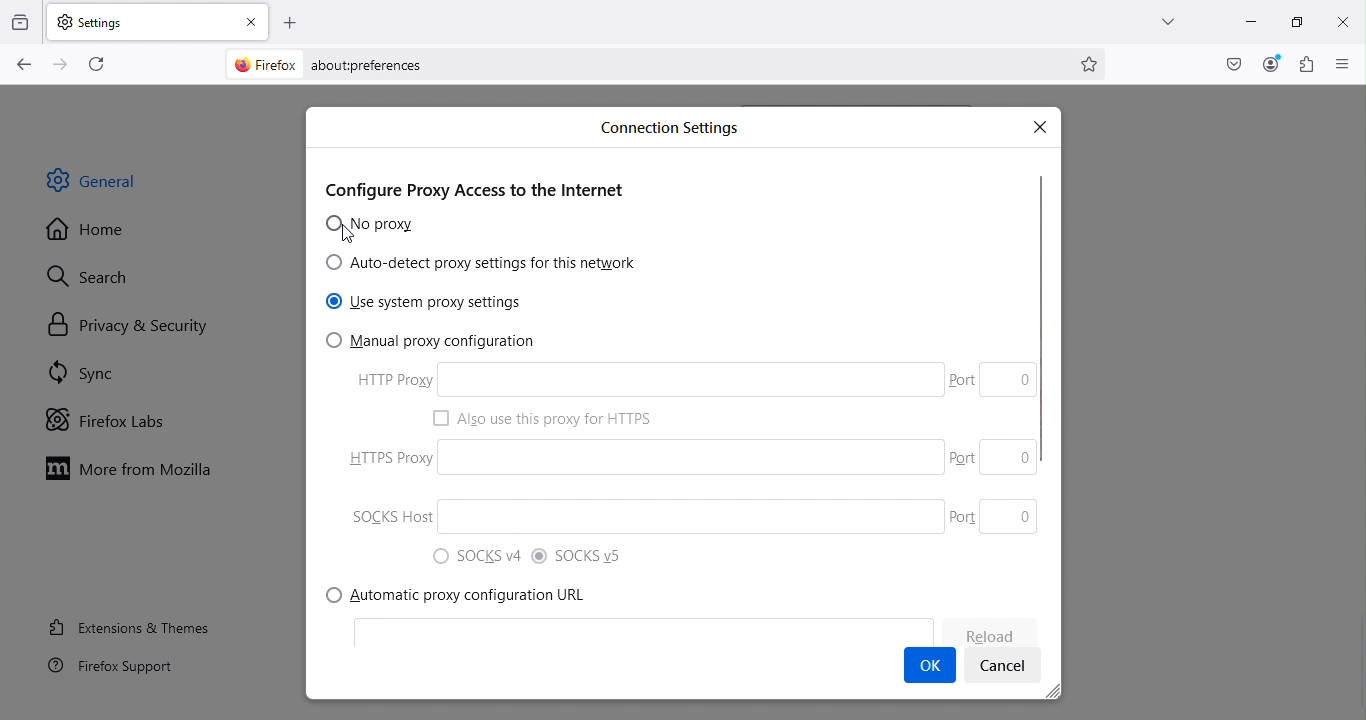 The image size is (1366, 720). I want to click on Save to pocket, so click(1228, 63).